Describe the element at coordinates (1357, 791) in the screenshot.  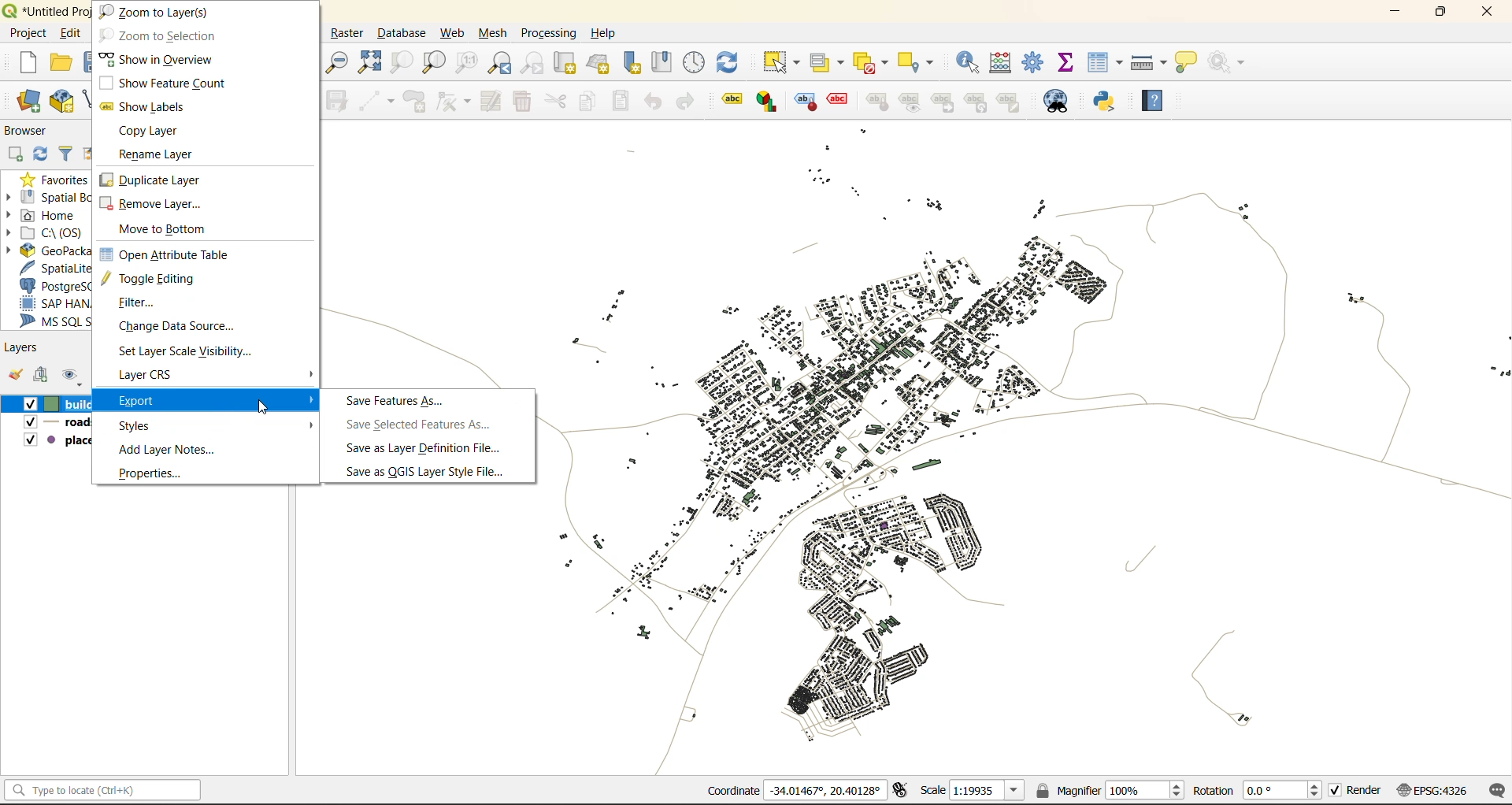
I see `render` at that location.